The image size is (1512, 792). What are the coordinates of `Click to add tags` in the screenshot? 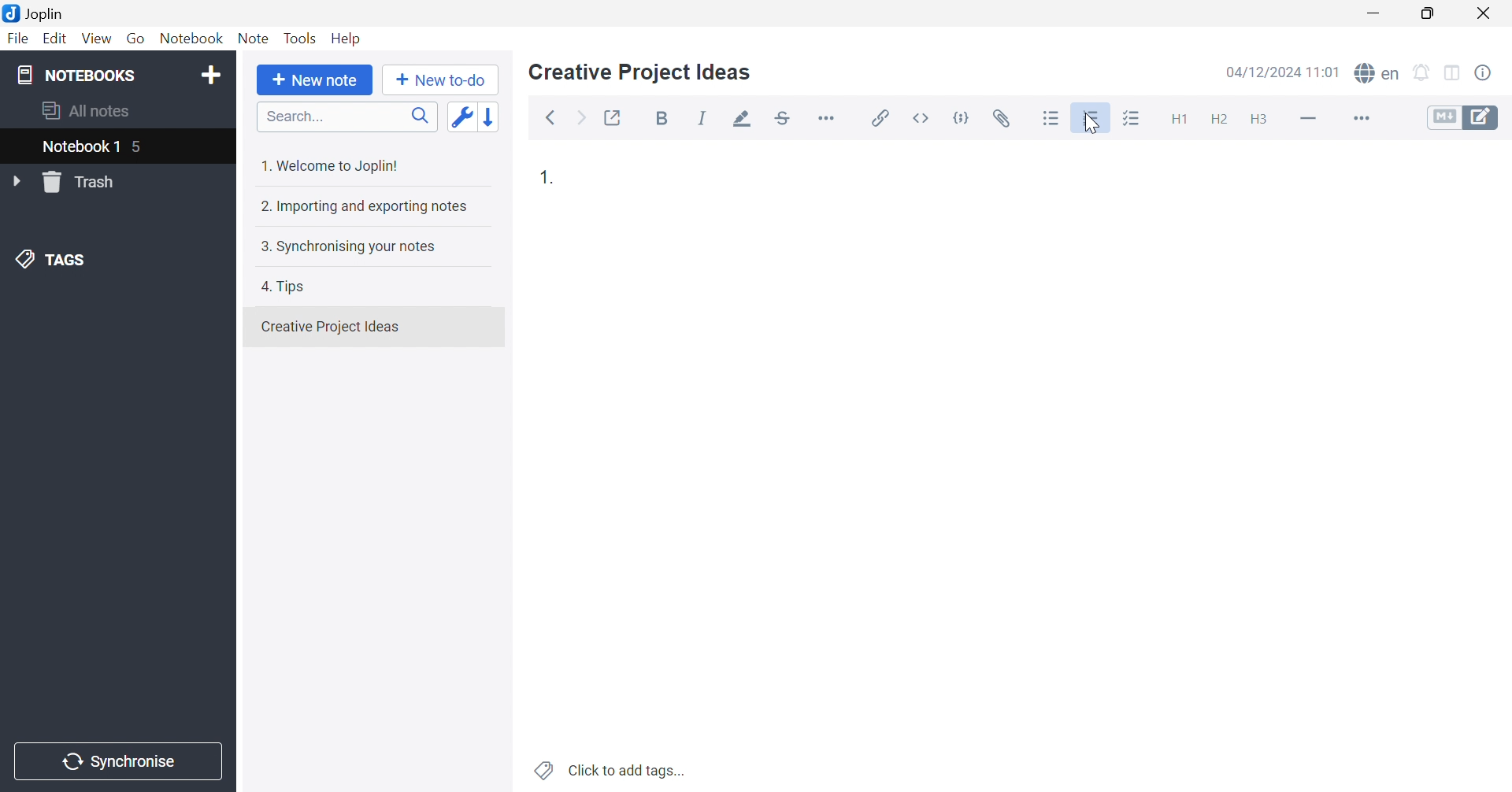 It's located at (607, 770).